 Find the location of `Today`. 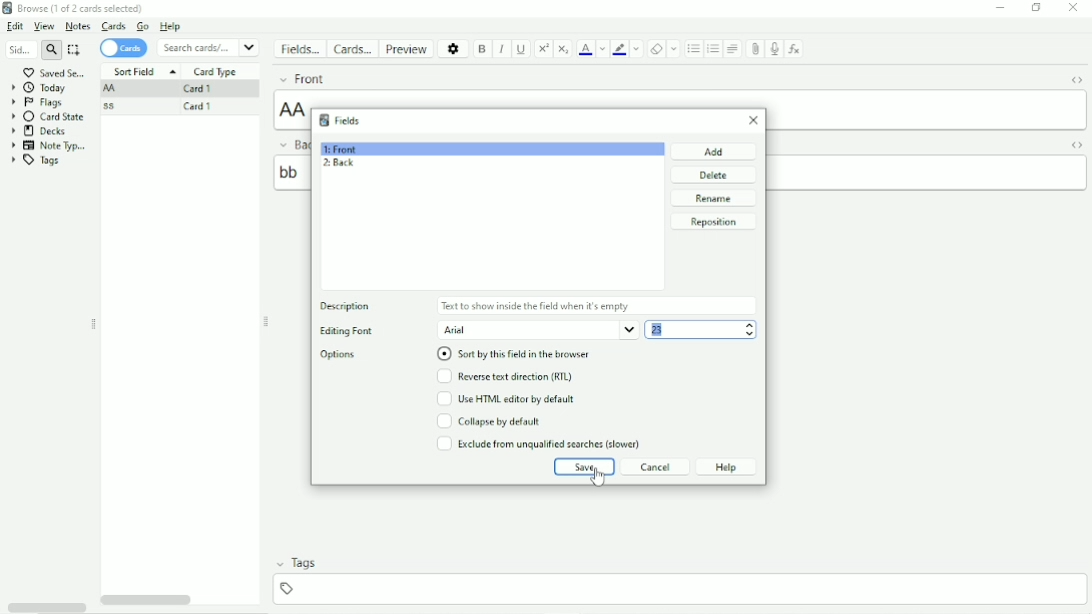

Today is located at coordinates (39, 88).